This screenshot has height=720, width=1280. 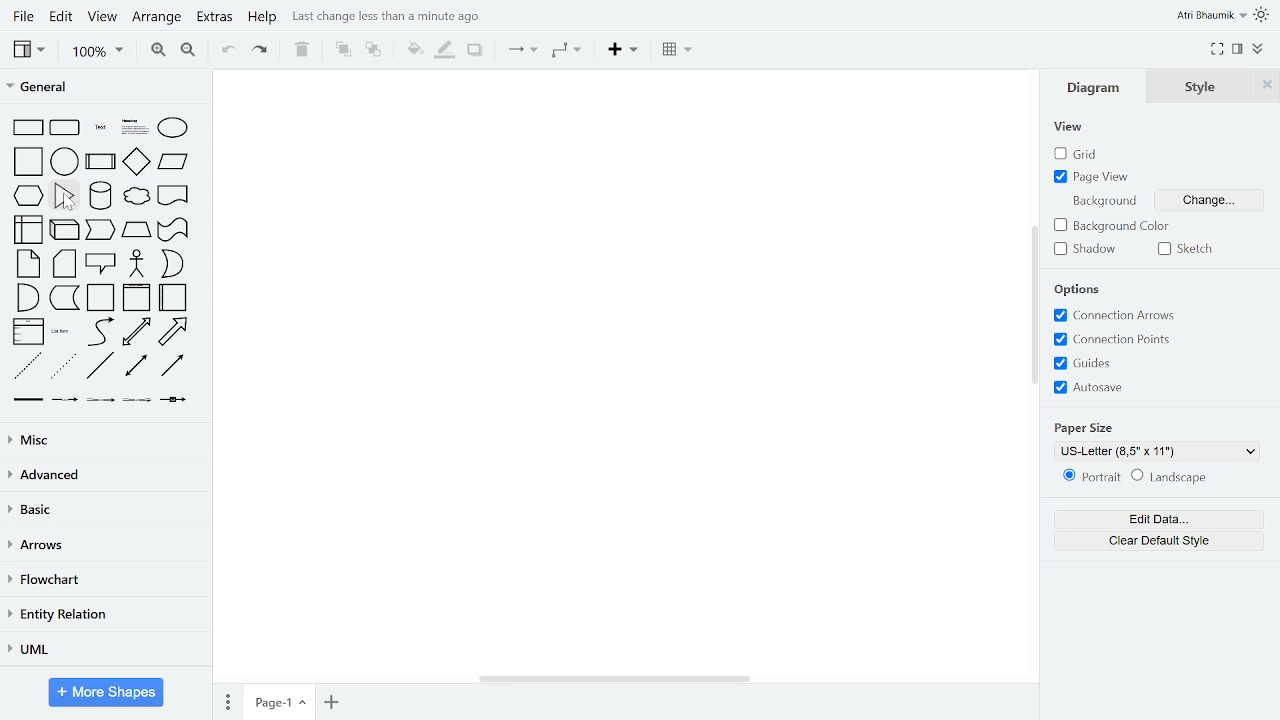 What do you see at coordinates (1192, 249) in the screenshot?
I see `sketch` at bounding box center [1192, 249].